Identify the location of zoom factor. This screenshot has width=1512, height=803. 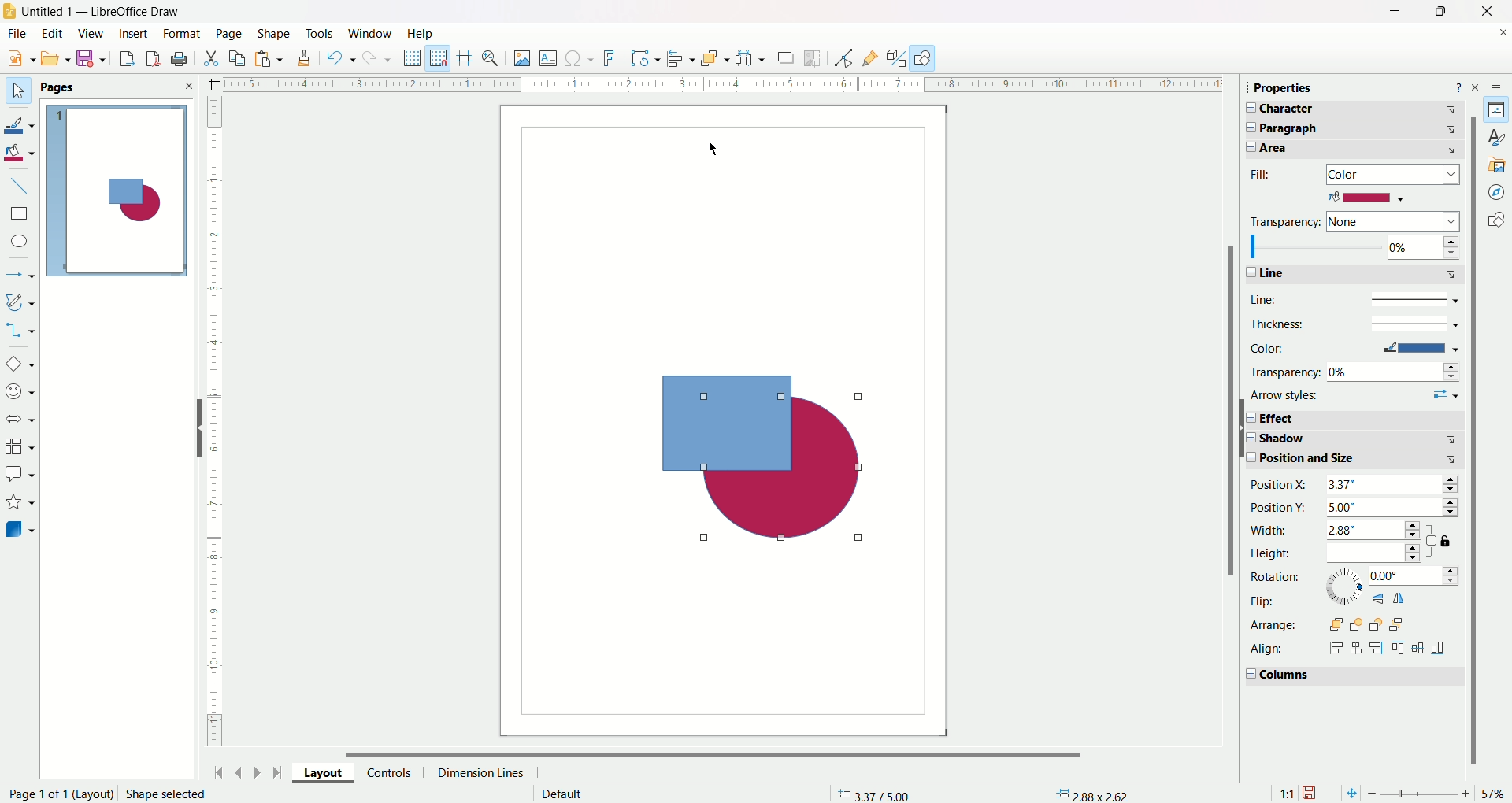
(1438, 794).